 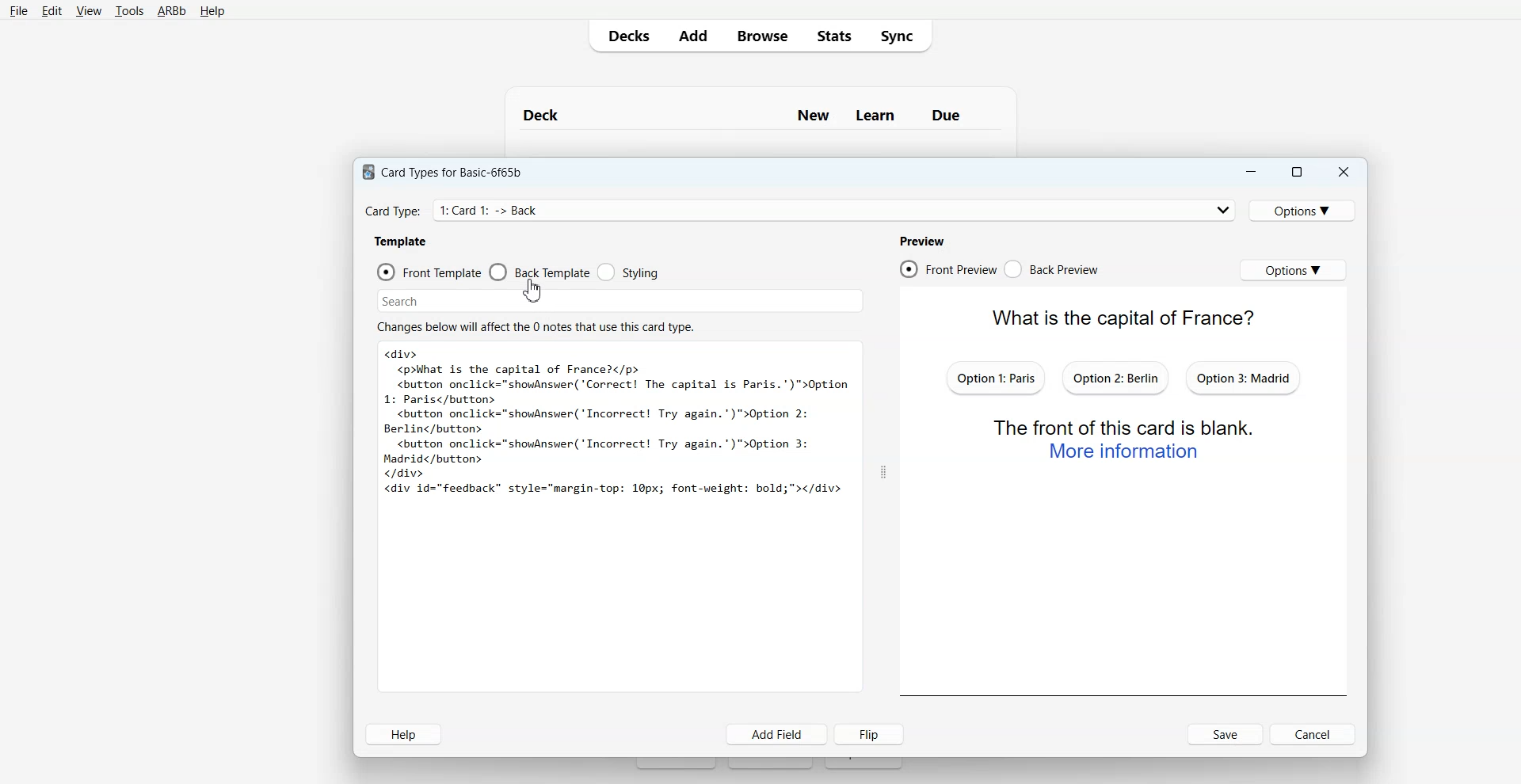 I want to click on Options, so click(x=1306, y=209).